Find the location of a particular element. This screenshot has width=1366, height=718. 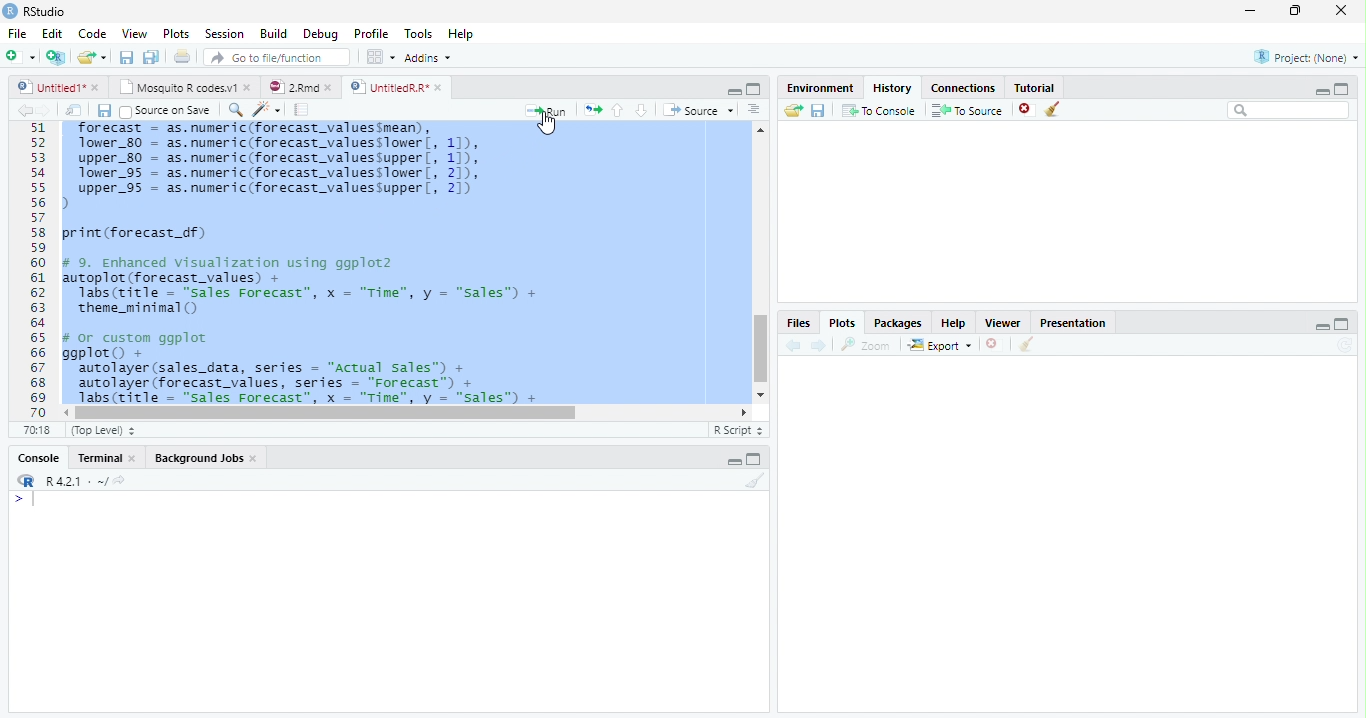

Save is located at coordinates (102, 110).